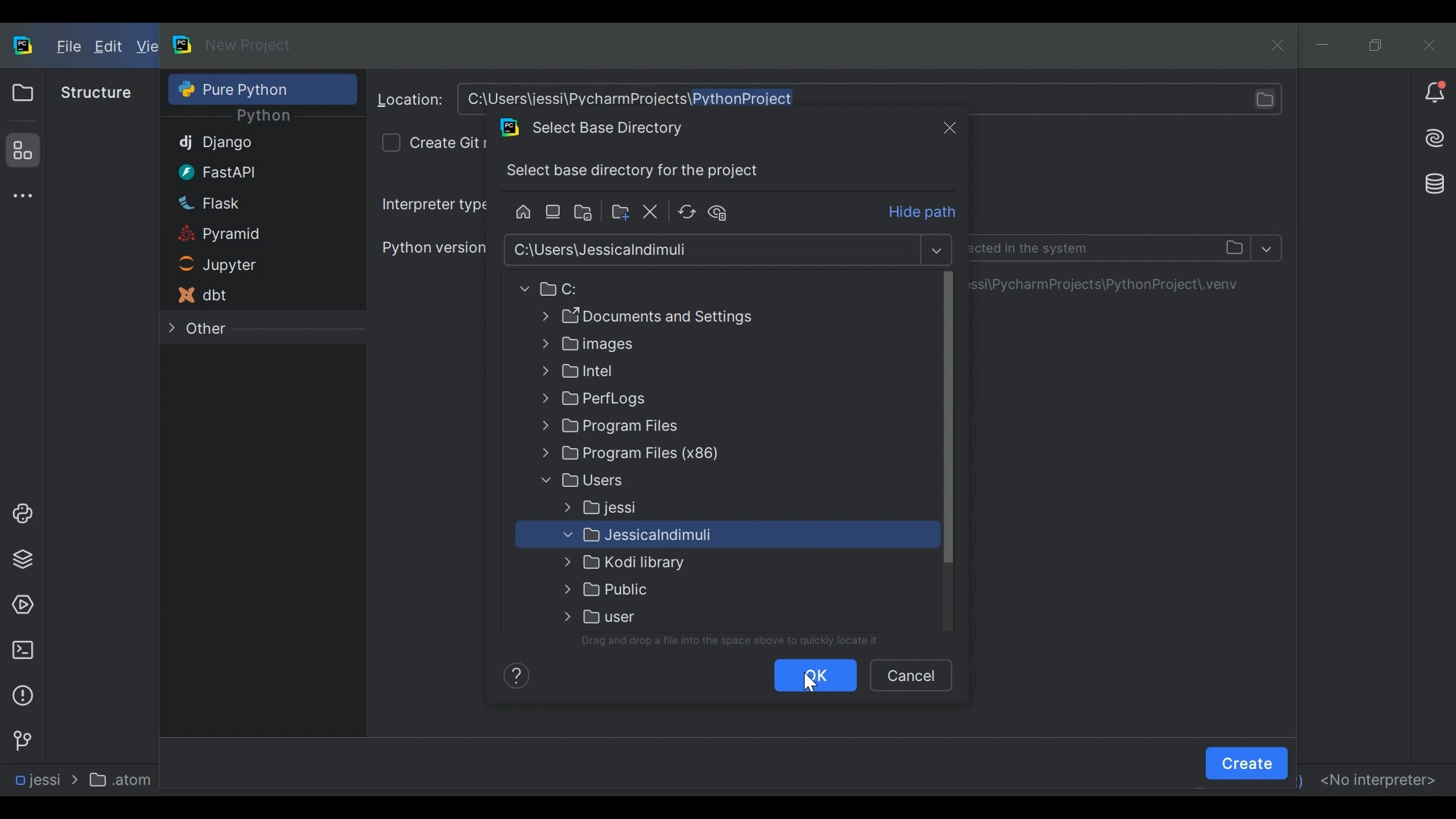 The image size is (1456, 819). Describe the element at coordinates (96, 93) in the screenshot. I see `Structure` at that location.